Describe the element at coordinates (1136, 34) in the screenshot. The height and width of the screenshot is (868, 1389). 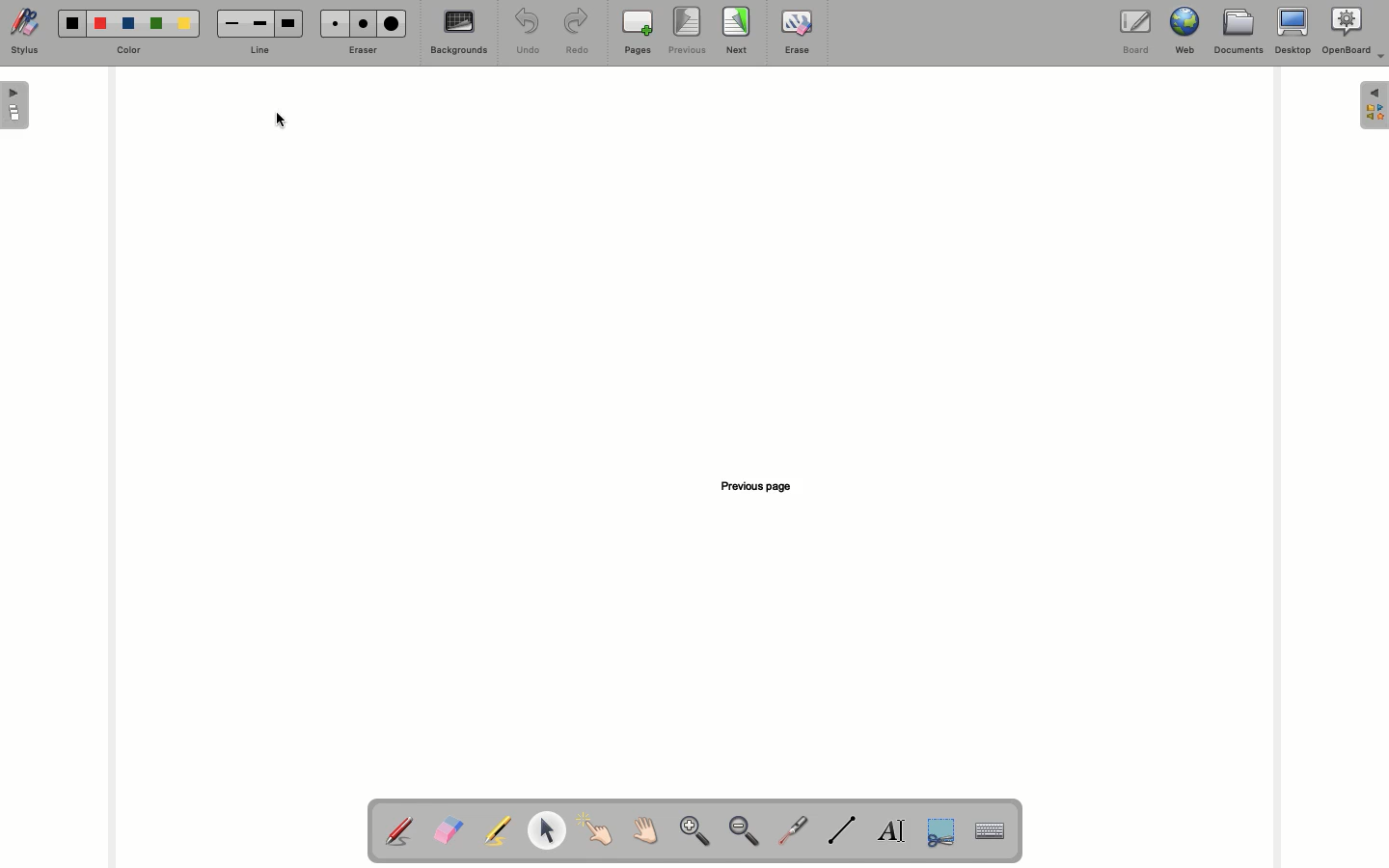
I see `Board` at that location.